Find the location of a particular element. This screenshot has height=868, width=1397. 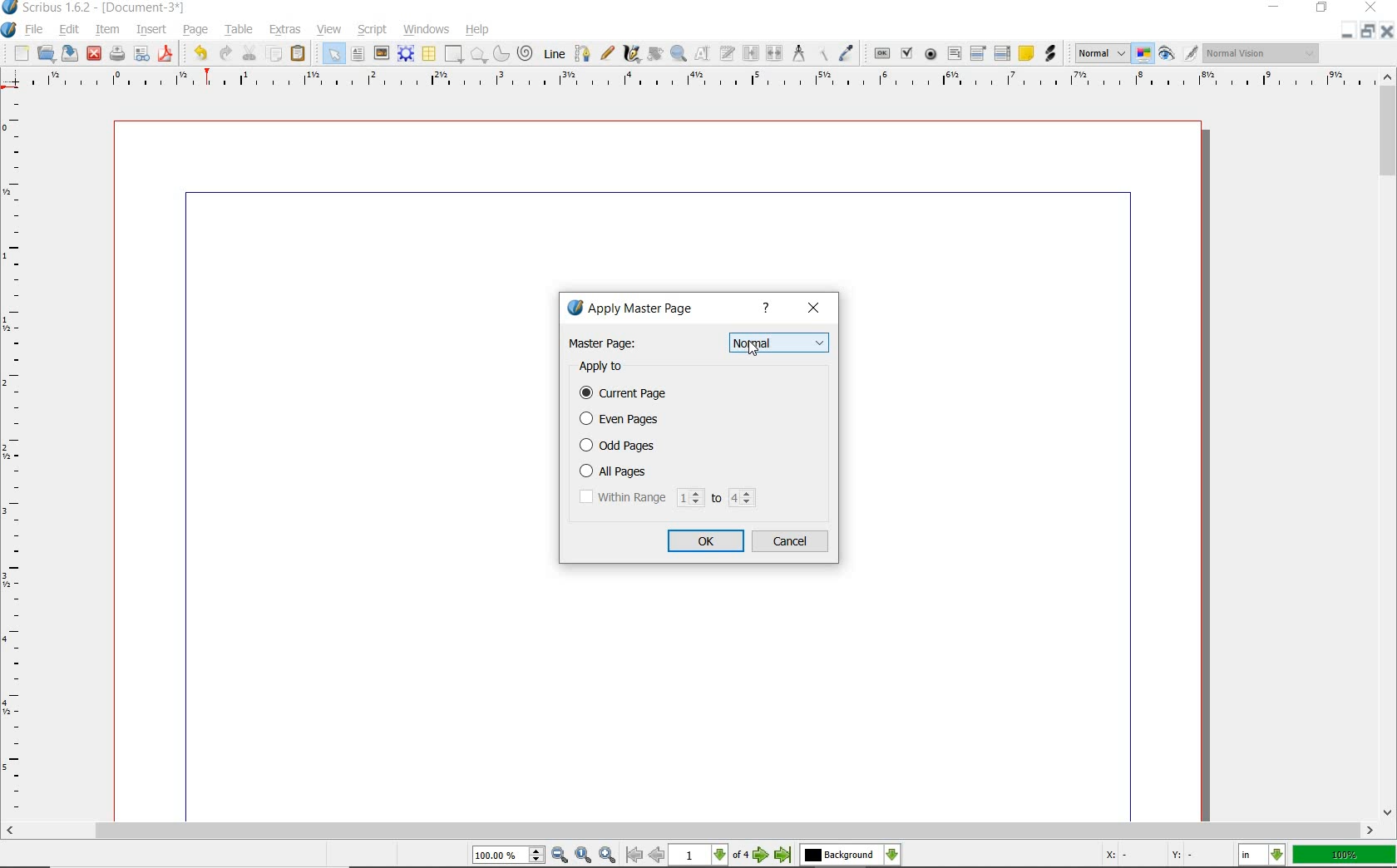

Last Page is located at coordinates (783, 857).